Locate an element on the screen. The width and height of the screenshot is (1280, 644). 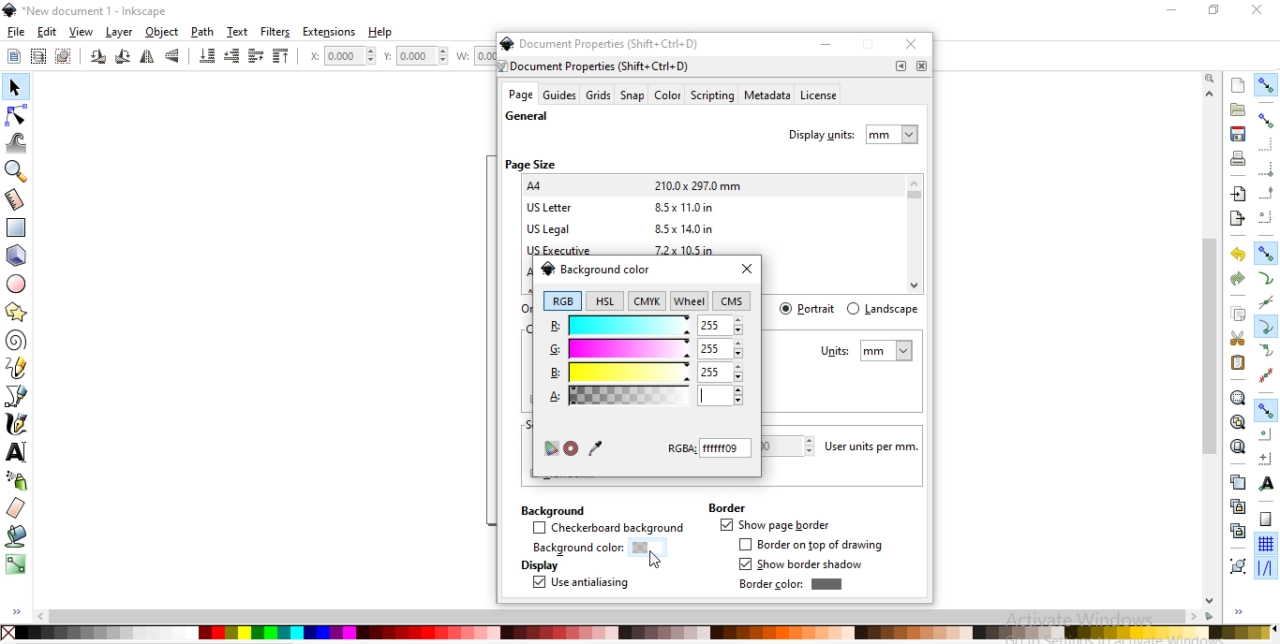
page size is located at coordinates (530, 164).